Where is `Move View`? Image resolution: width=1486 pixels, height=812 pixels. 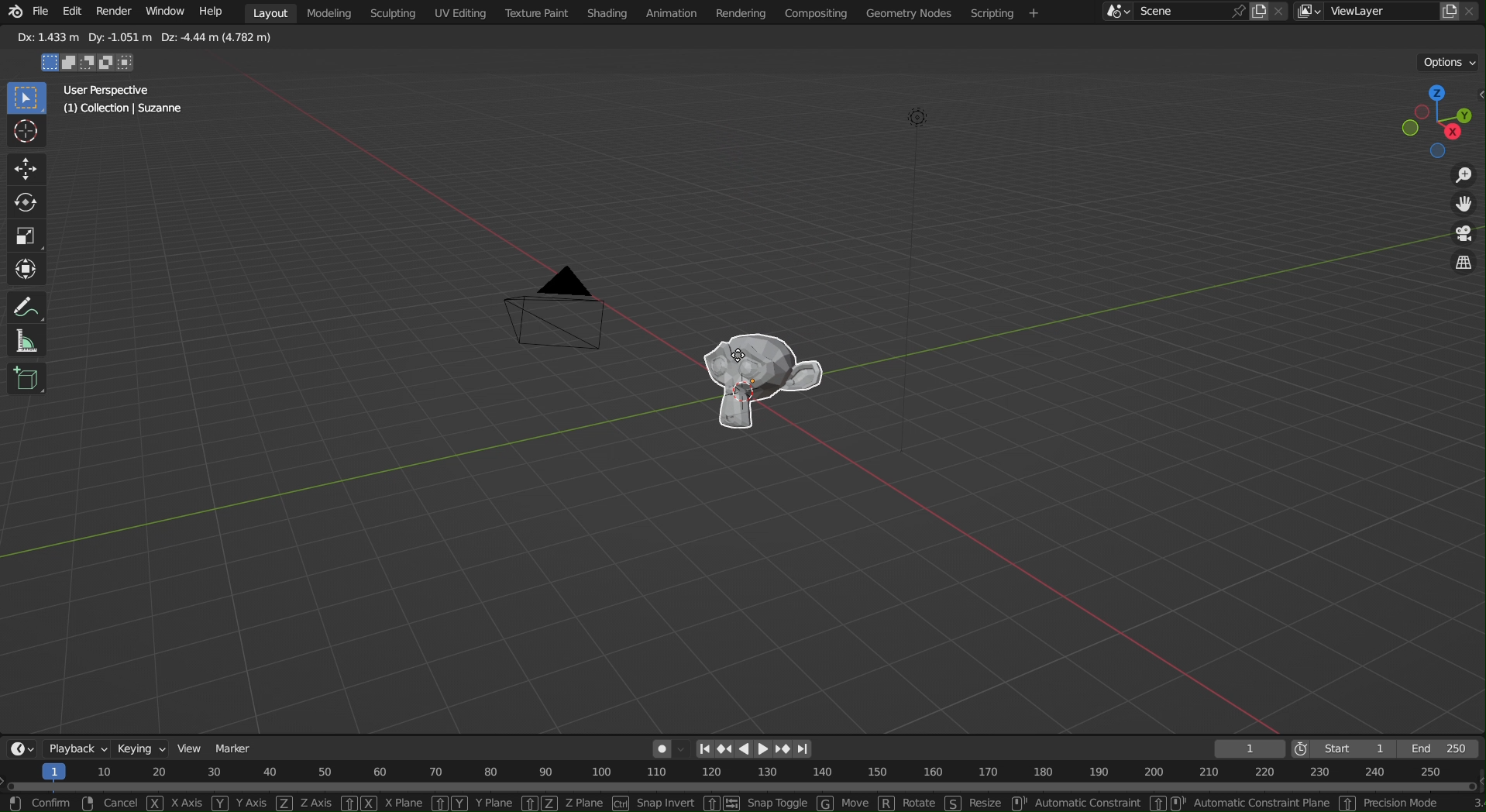 Move View is located at coordinates (1462, 205).